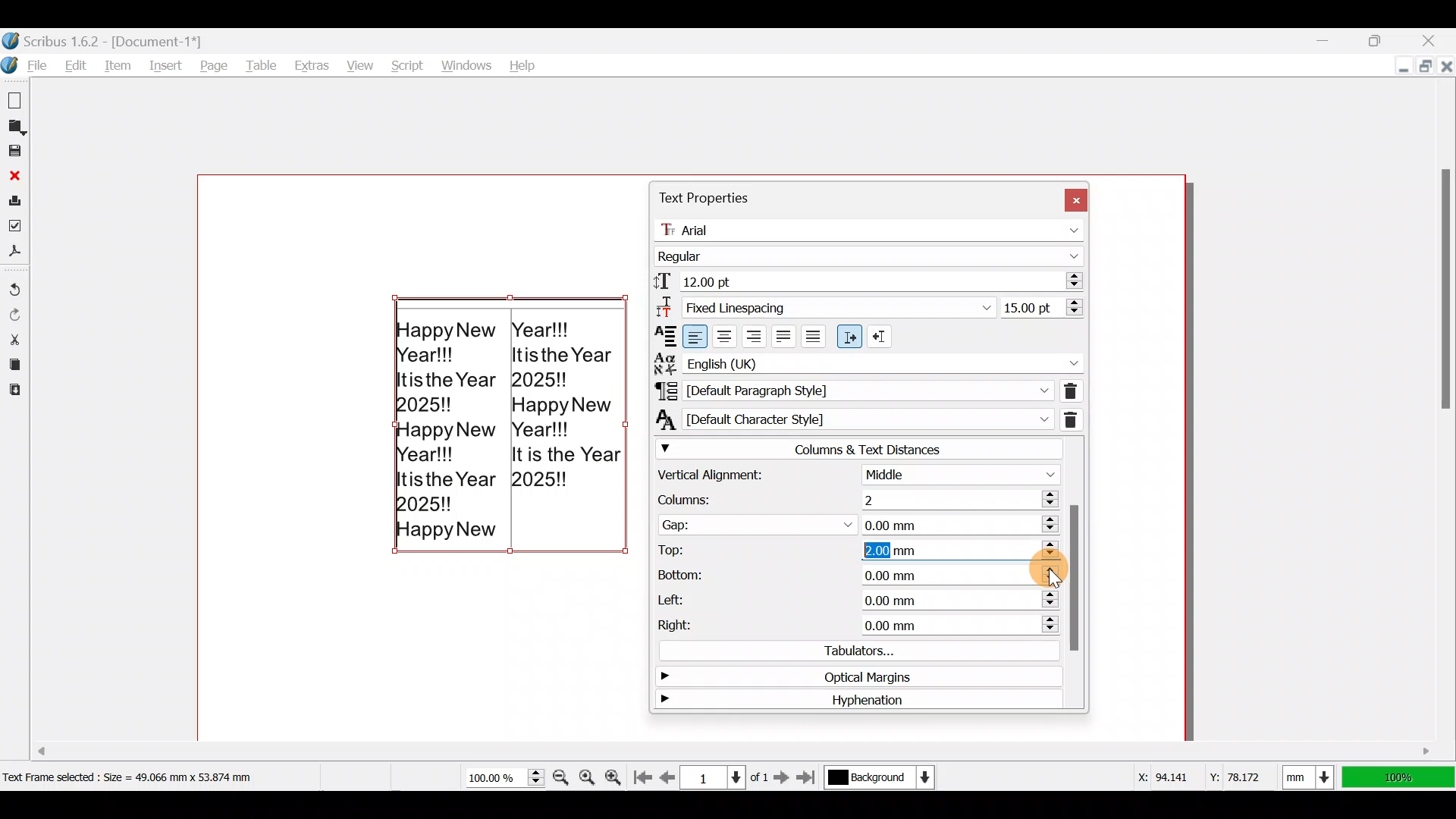 This screenshot has width=1456, height=819. Describe the element at coordinates (850, 497) in the screenshot. I see `Columns` at that location.